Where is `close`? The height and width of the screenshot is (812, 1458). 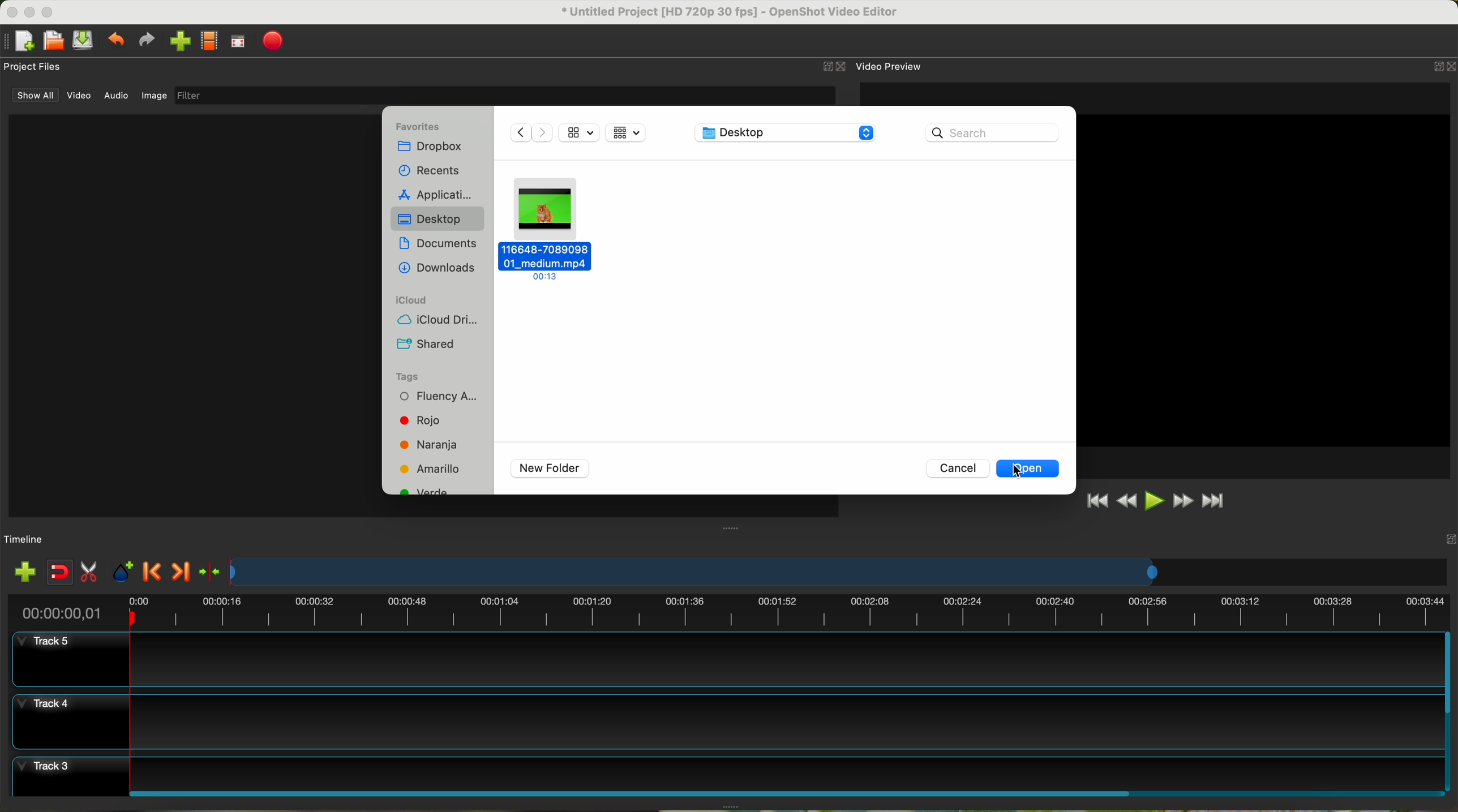 close is located at coordinates (1442, 68).